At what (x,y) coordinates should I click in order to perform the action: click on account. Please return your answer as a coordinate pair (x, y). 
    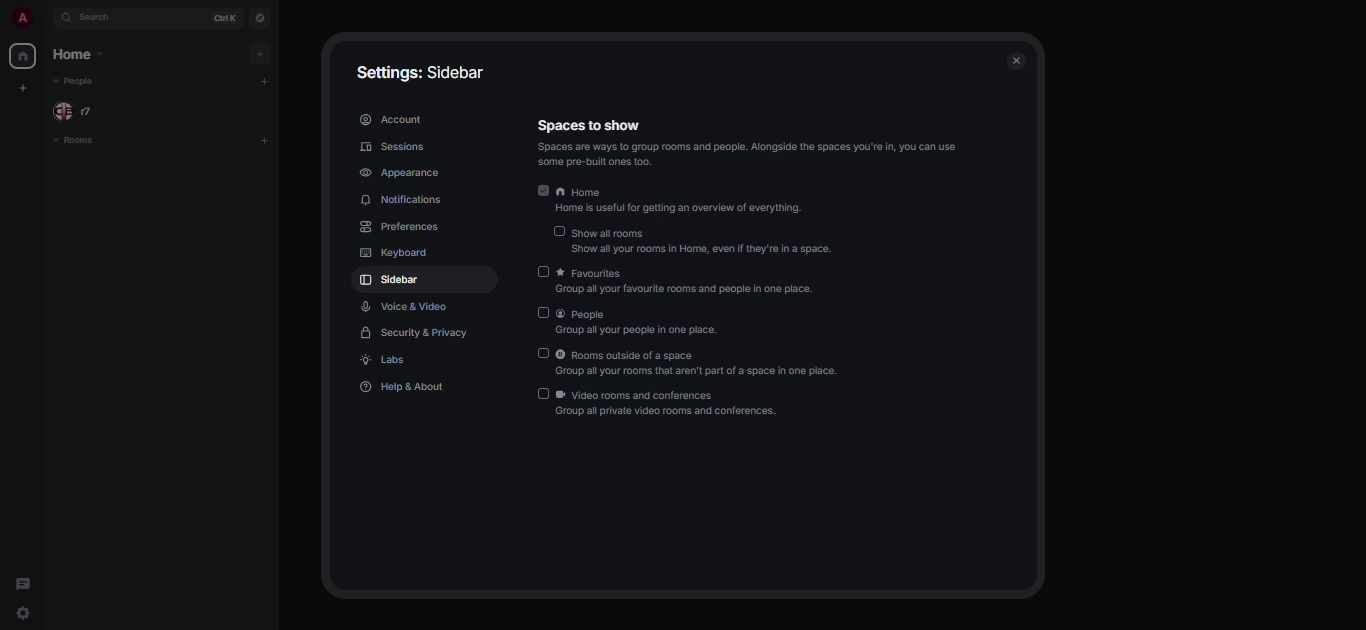
    Looking at the image, I should click on (395, 119).